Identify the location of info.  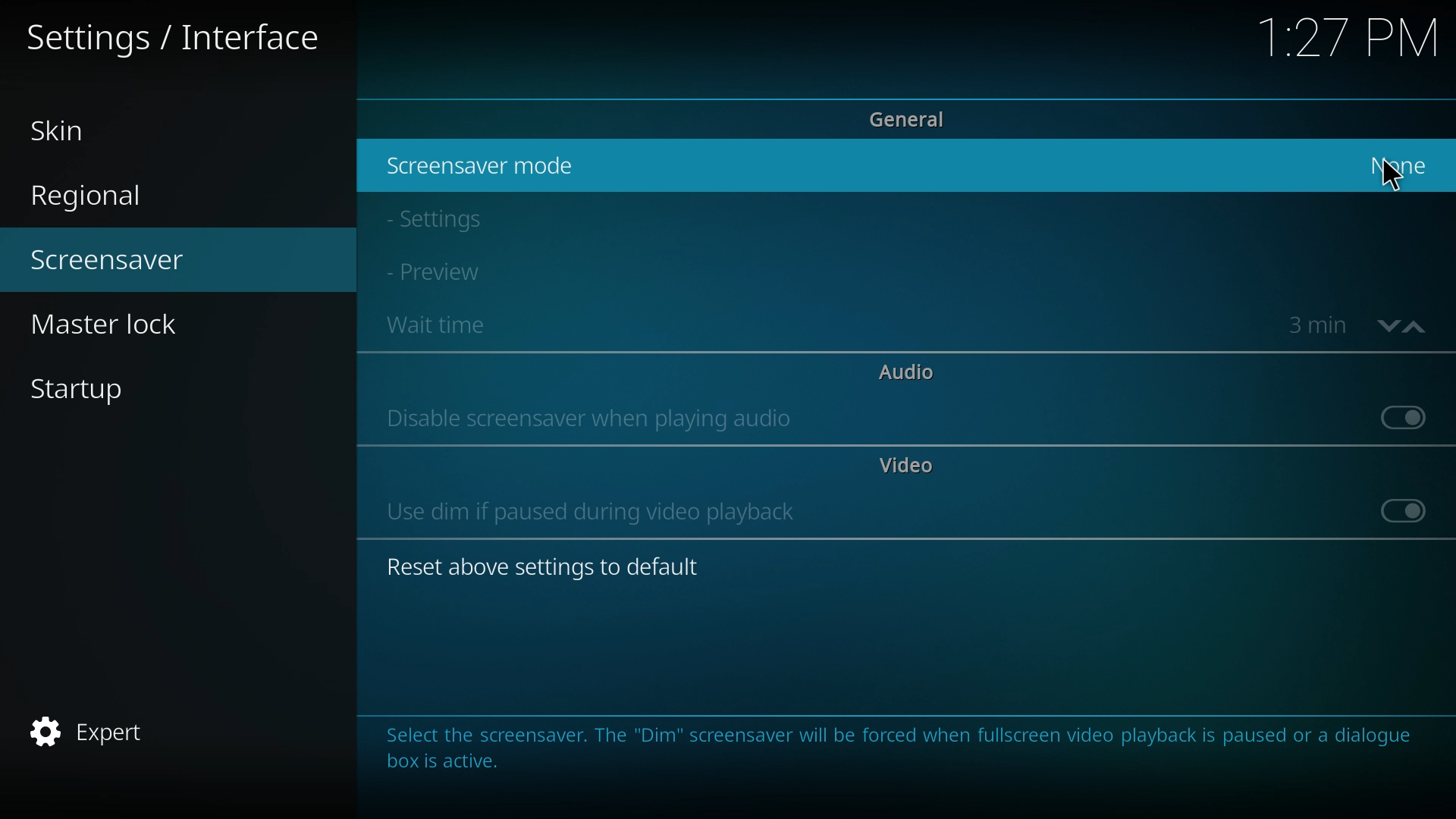
(905, 760).